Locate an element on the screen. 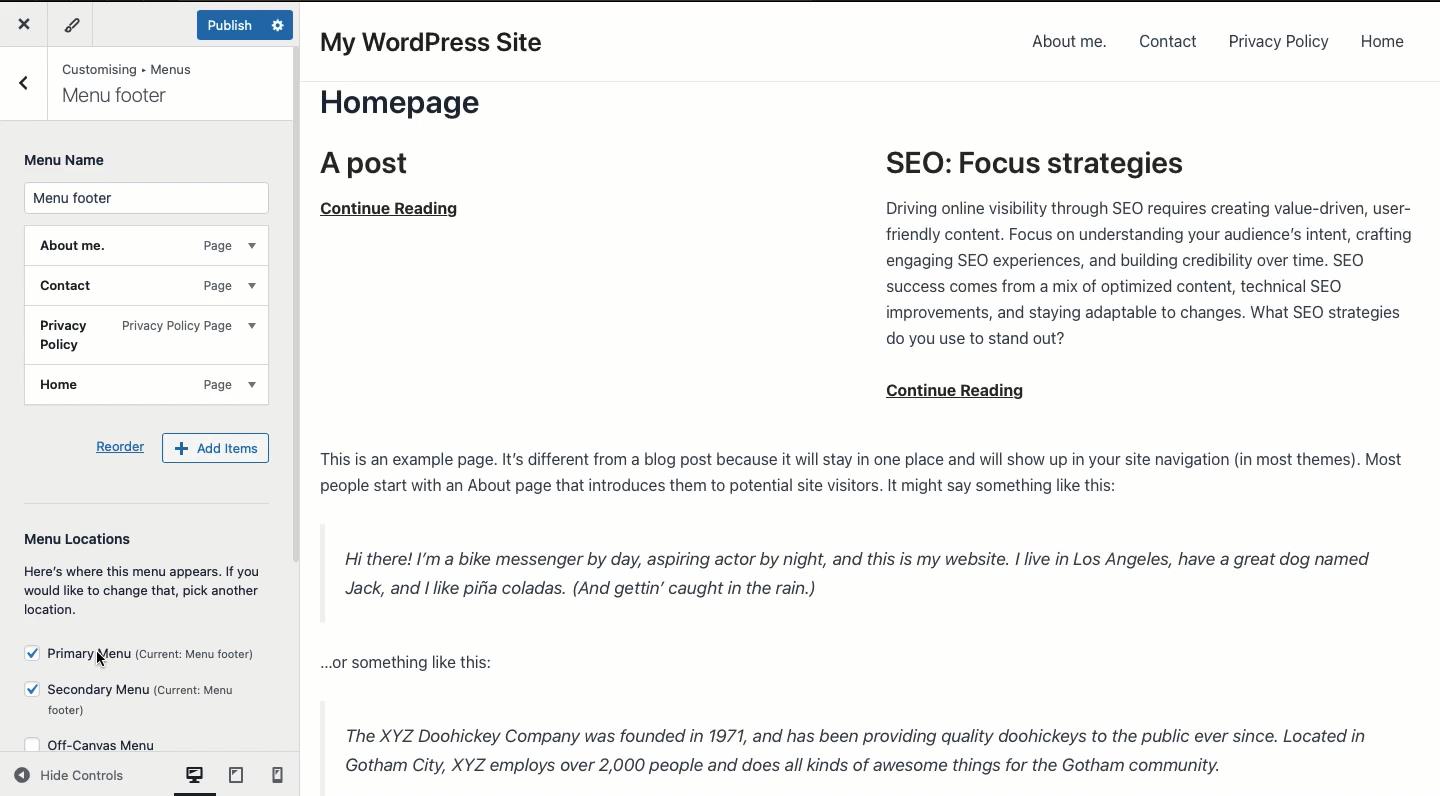 The image size is (1440, 796). Close is located at coordinates (23, 23).